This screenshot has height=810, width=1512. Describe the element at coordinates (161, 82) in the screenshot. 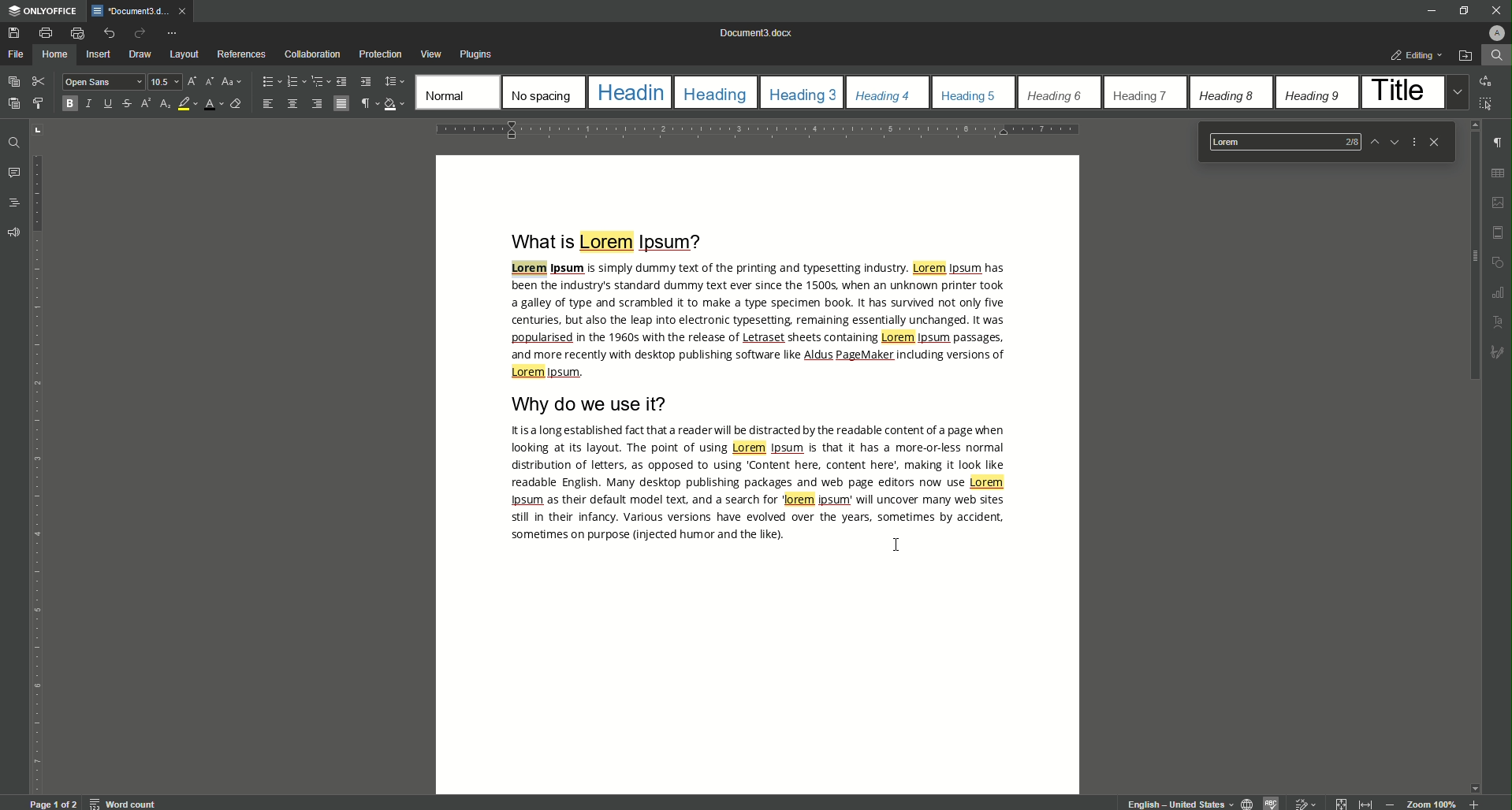

I see `Font Size` at that location.